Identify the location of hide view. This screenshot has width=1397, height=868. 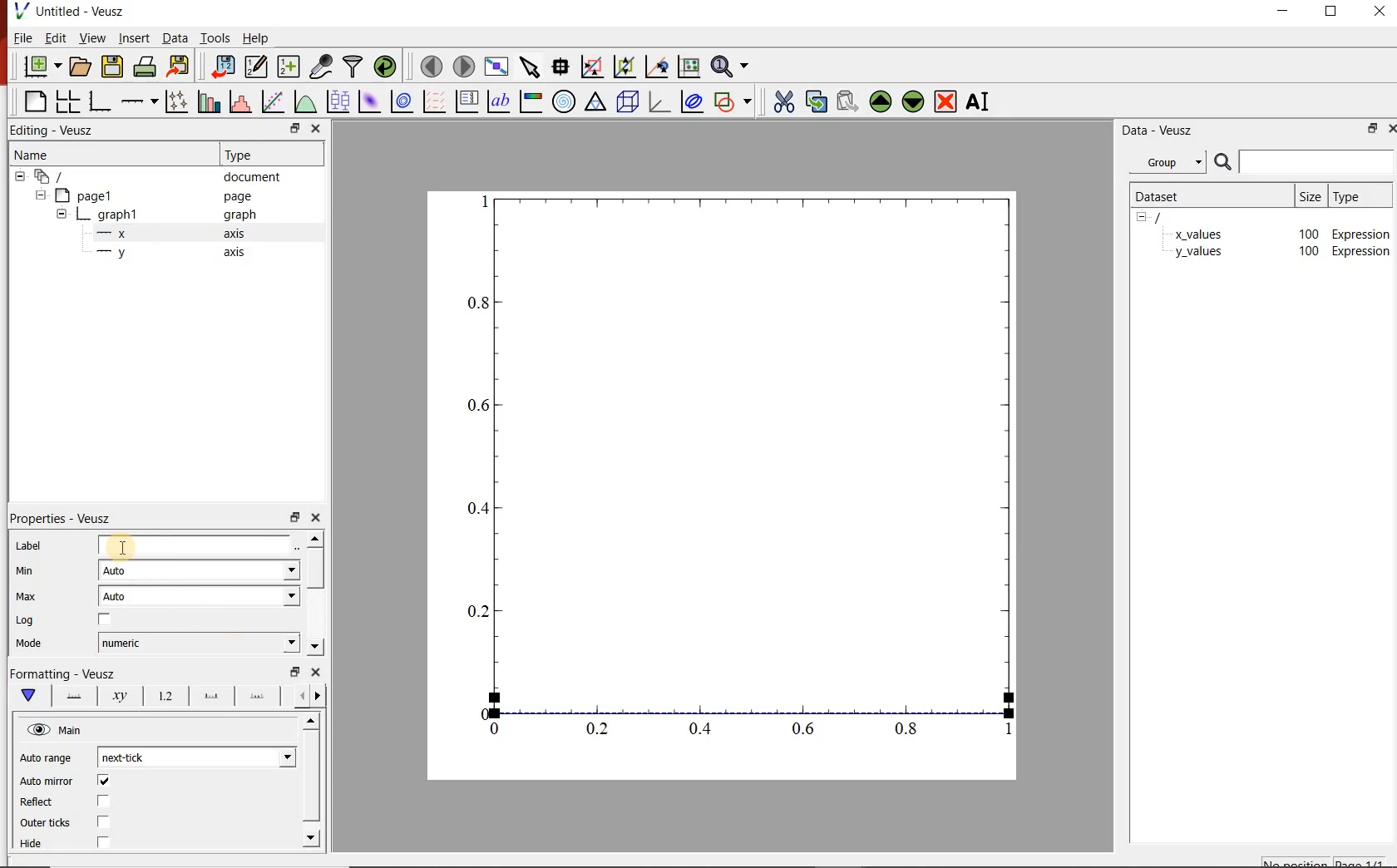
(57, 728).